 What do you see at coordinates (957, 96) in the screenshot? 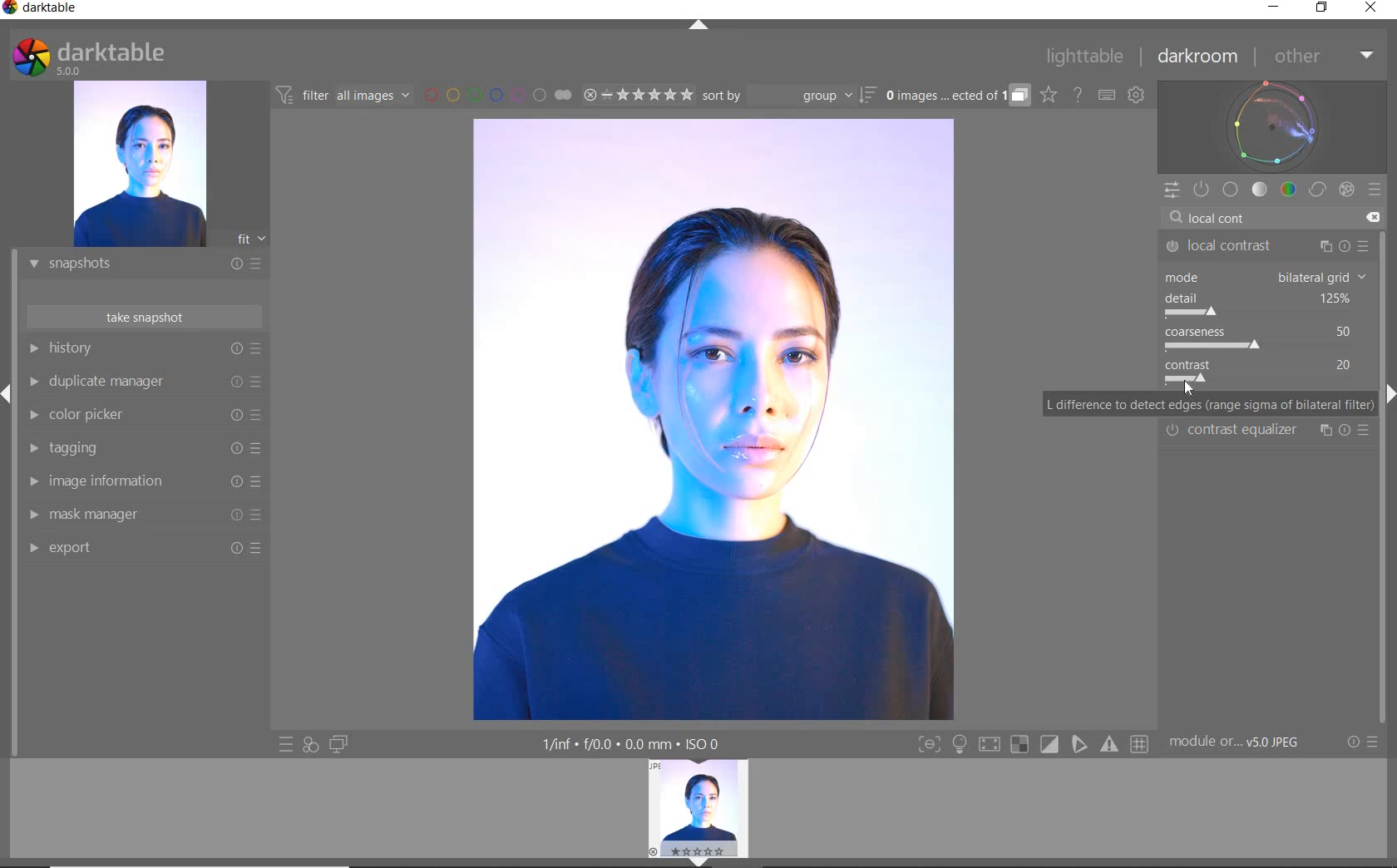
I see `EXPAND GROUPED IMAGES` at bounding box center [957, 96].